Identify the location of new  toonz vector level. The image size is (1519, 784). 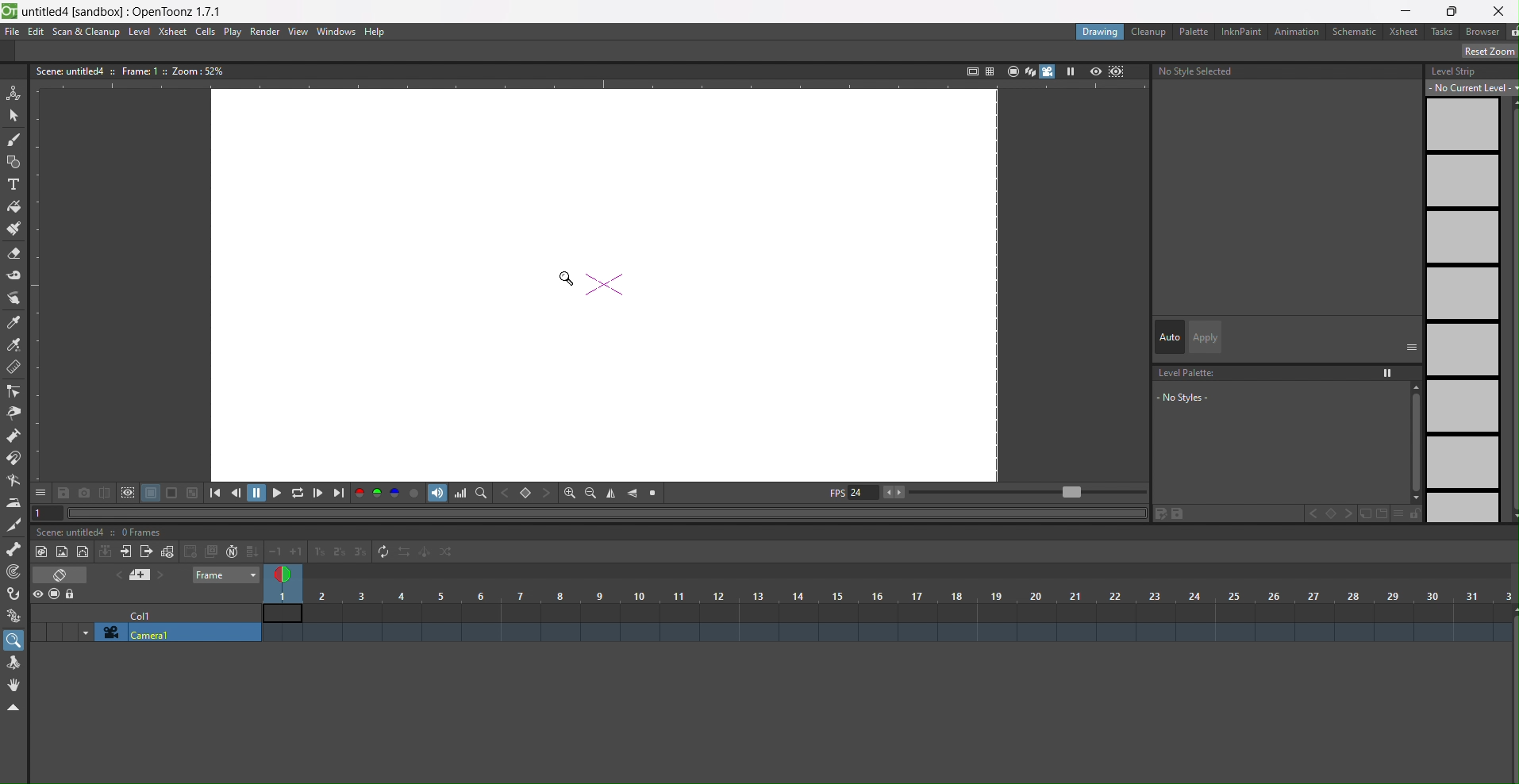
(62, 551).